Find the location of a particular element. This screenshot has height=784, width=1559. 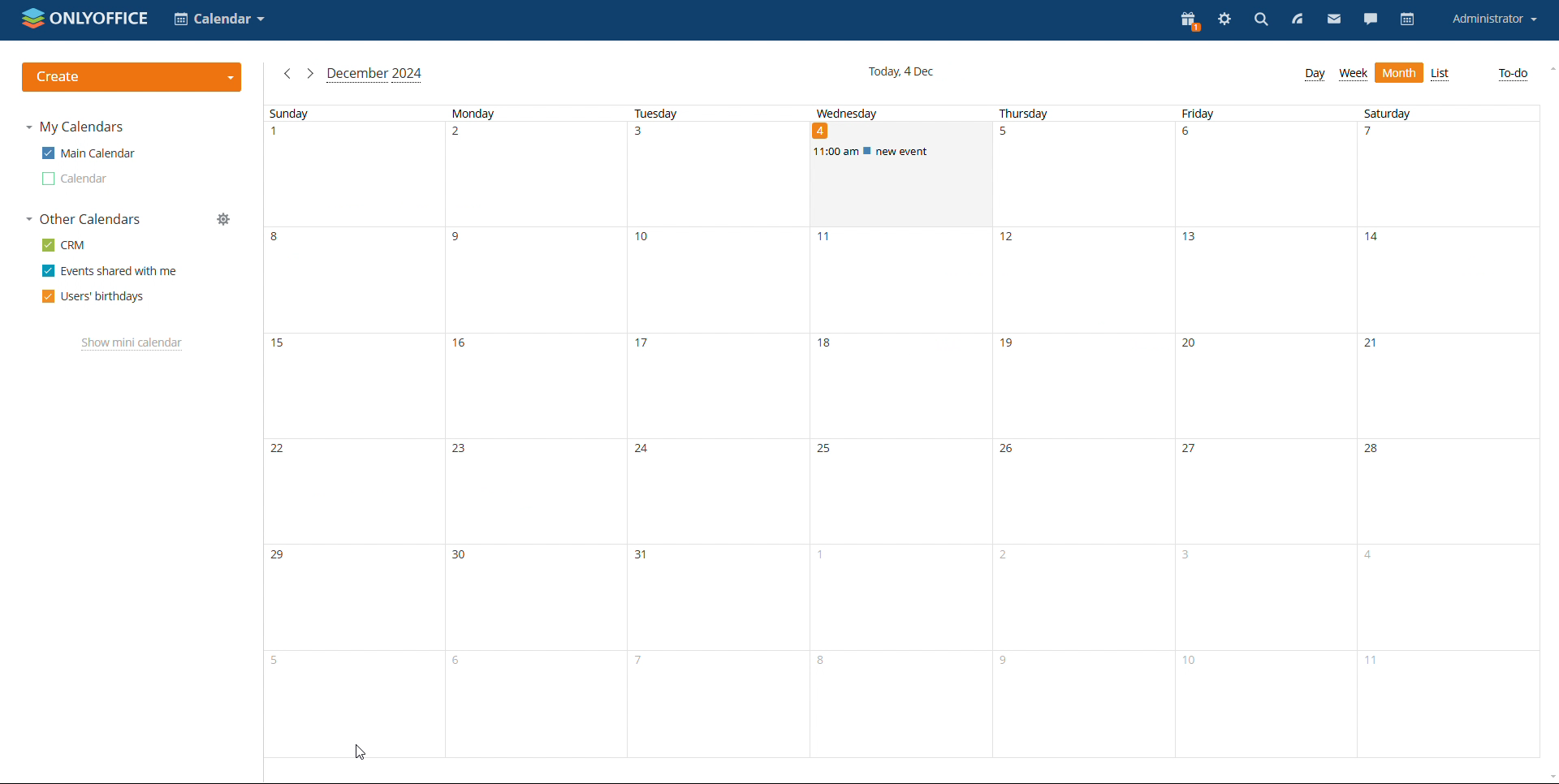

date is located at coordinates (824, 131).